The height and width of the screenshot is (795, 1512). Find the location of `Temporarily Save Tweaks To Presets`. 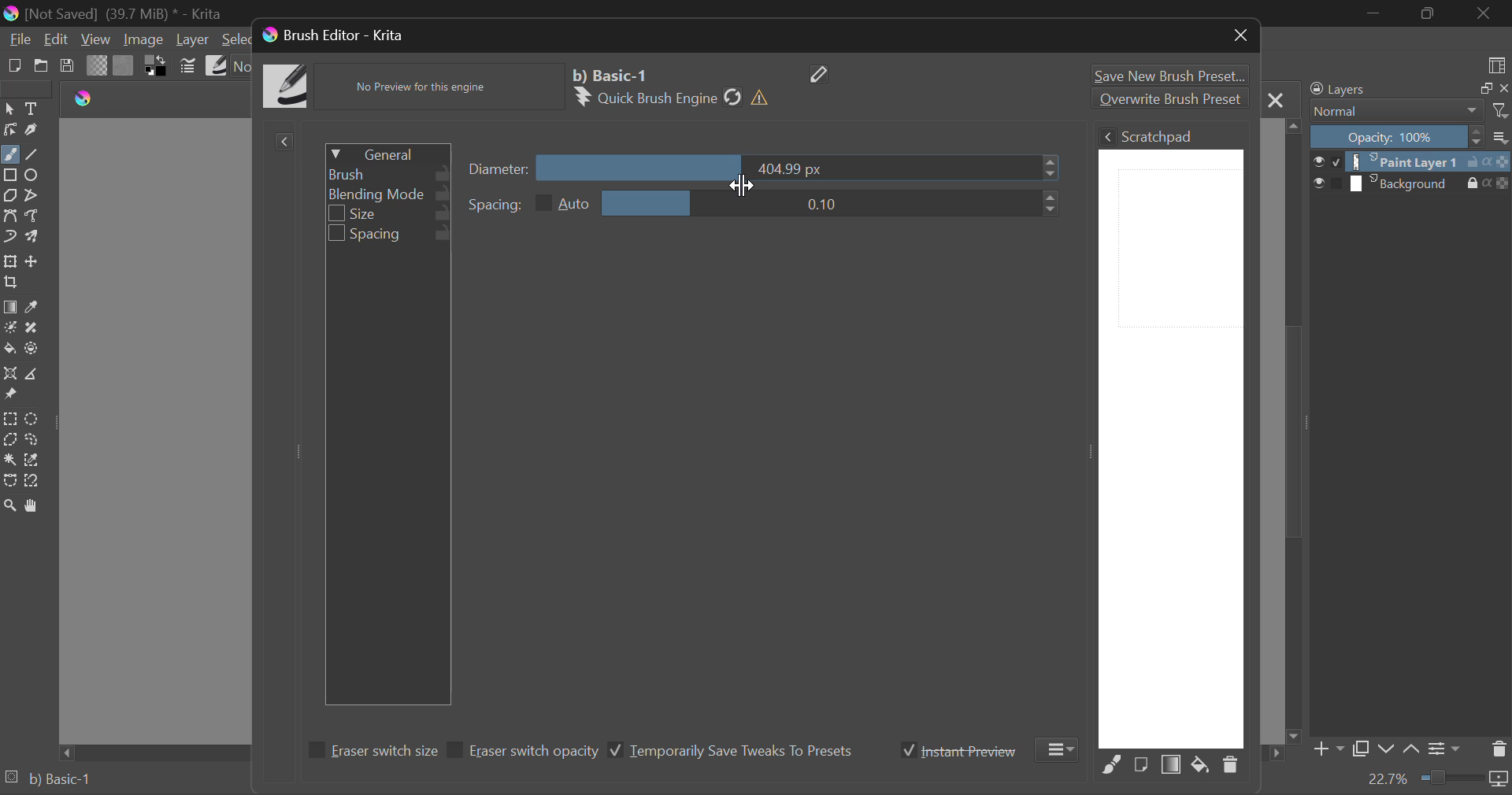

Temporarily Save Tweaks To Presets is located at coordinates (731, 751).